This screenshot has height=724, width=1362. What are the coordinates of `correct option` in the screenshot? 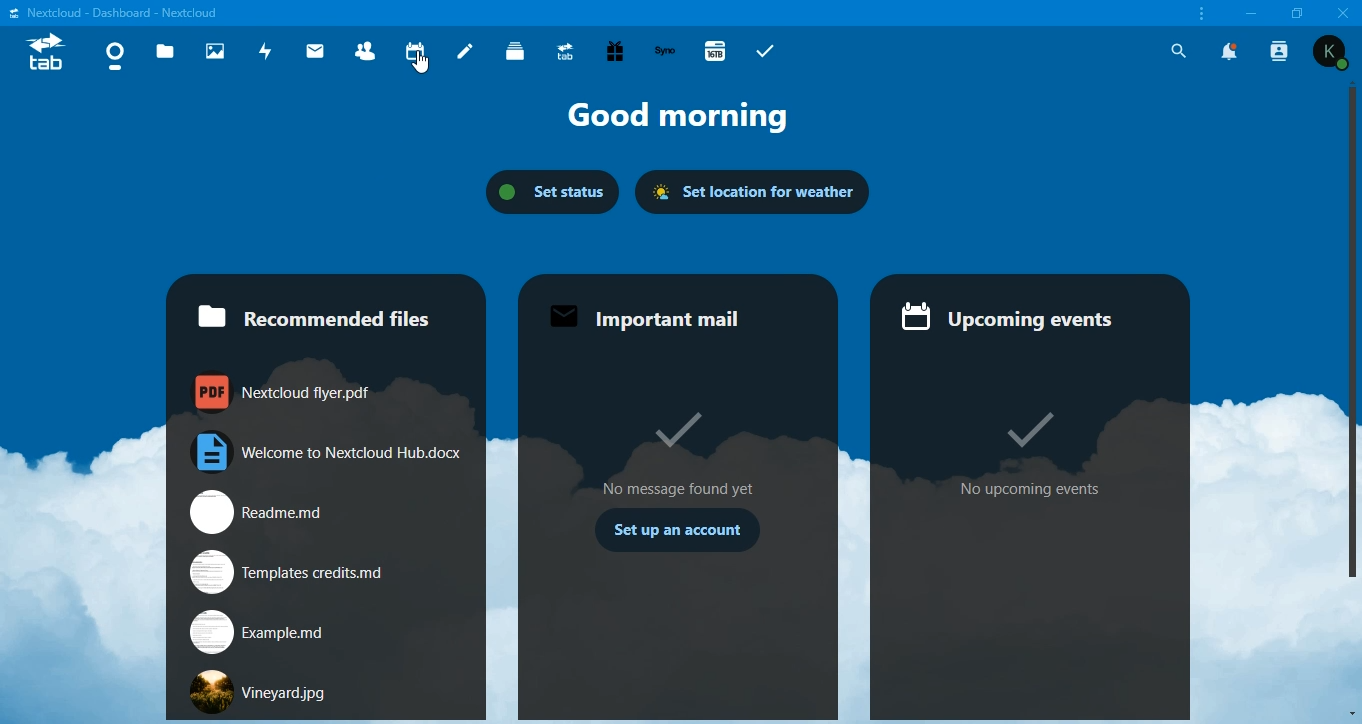 It's located at (672, 431).